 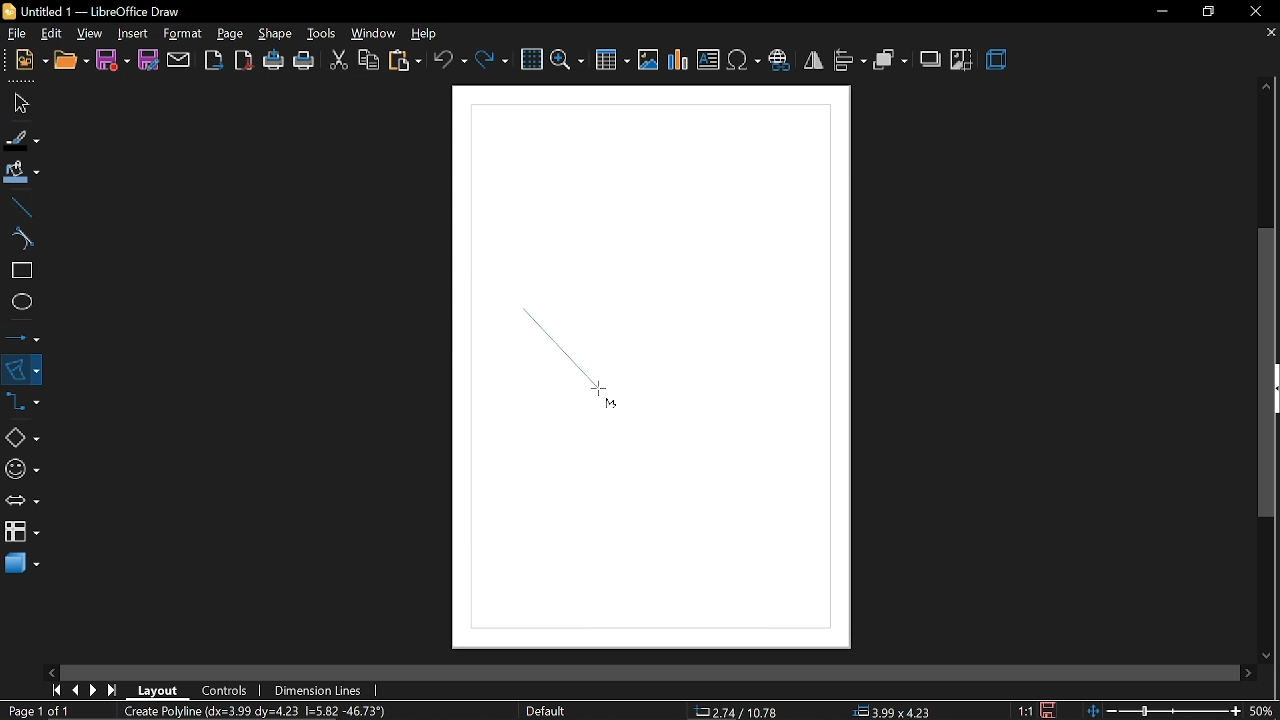 What do you see at coordinates (18, 240) in the screenshot?
I see `curve` at bounding box center [18, 240].